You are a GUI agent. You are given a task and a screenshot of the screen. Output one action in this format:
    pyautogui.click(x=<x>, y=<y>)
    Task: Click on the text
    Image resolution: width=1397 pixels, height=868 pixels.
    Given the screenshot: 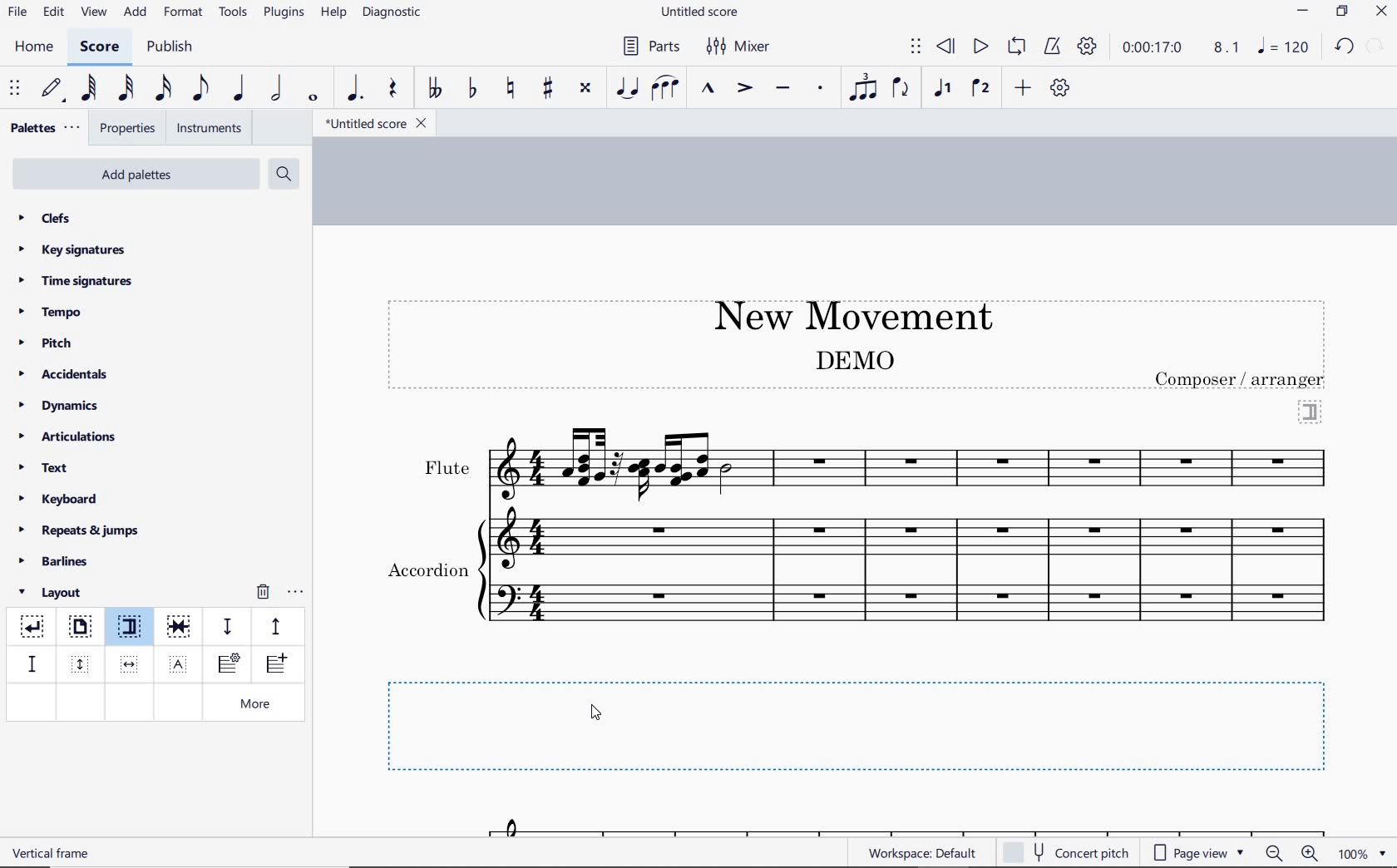 What is the action you would take?
    pyautogui.click(x=45, y=470)
    